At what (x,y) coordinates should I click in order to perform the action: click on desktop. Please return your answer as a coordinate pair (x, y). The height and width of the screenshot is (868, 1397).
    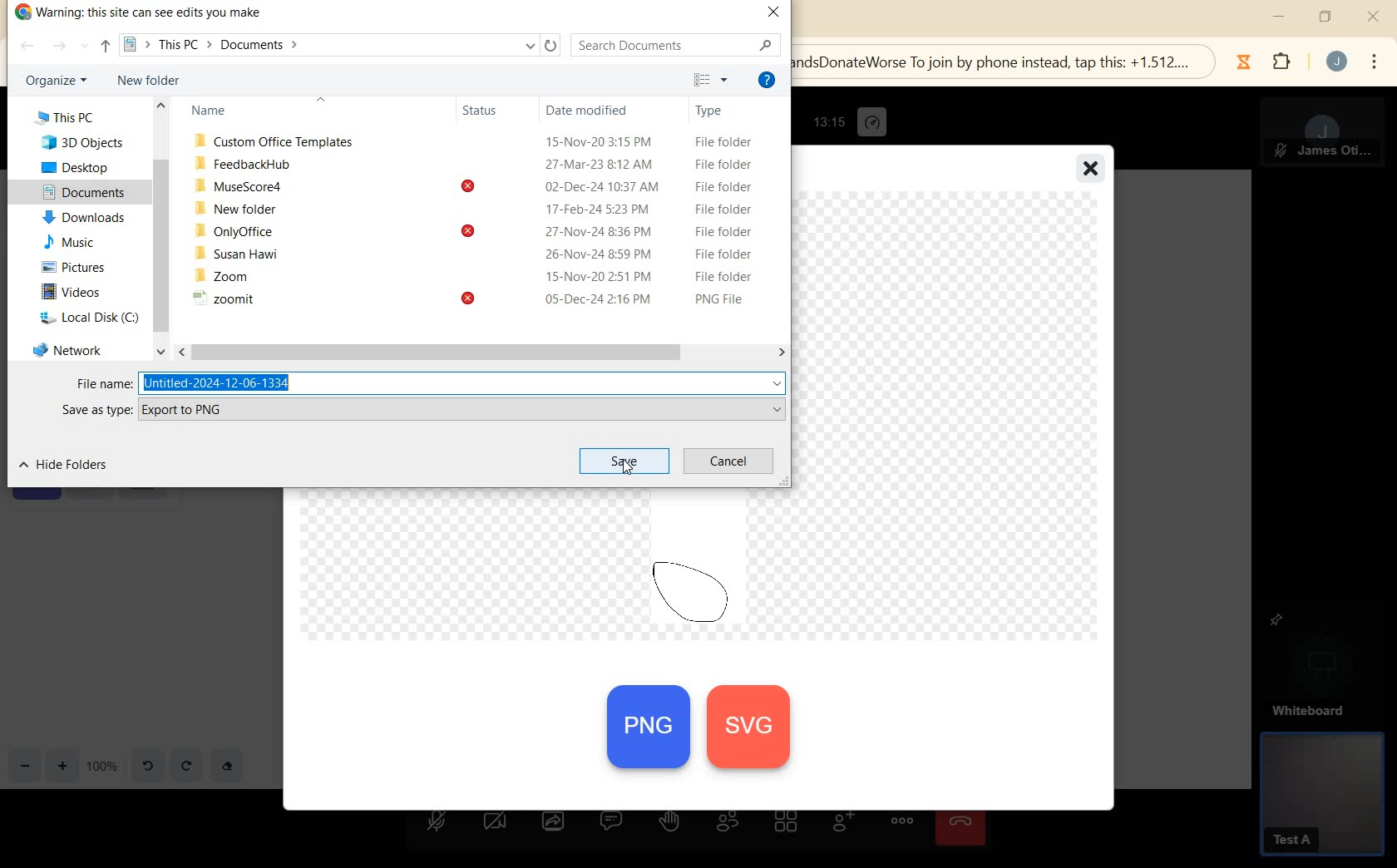
    Looking at the image, I should click on (72, 170).